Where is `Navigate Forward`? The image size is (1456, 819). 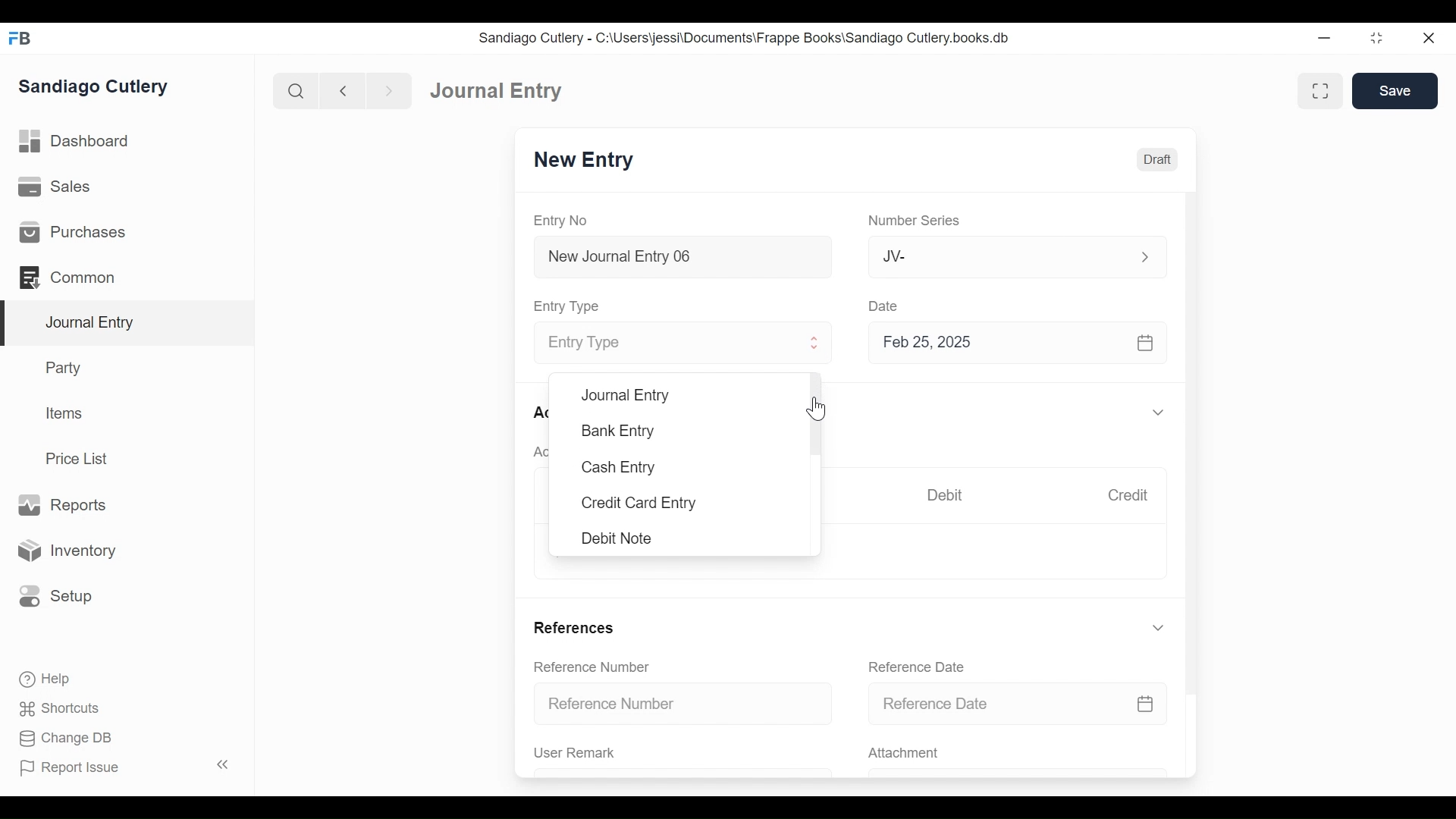 Navigate Forward is located at coordinates (390, 92).